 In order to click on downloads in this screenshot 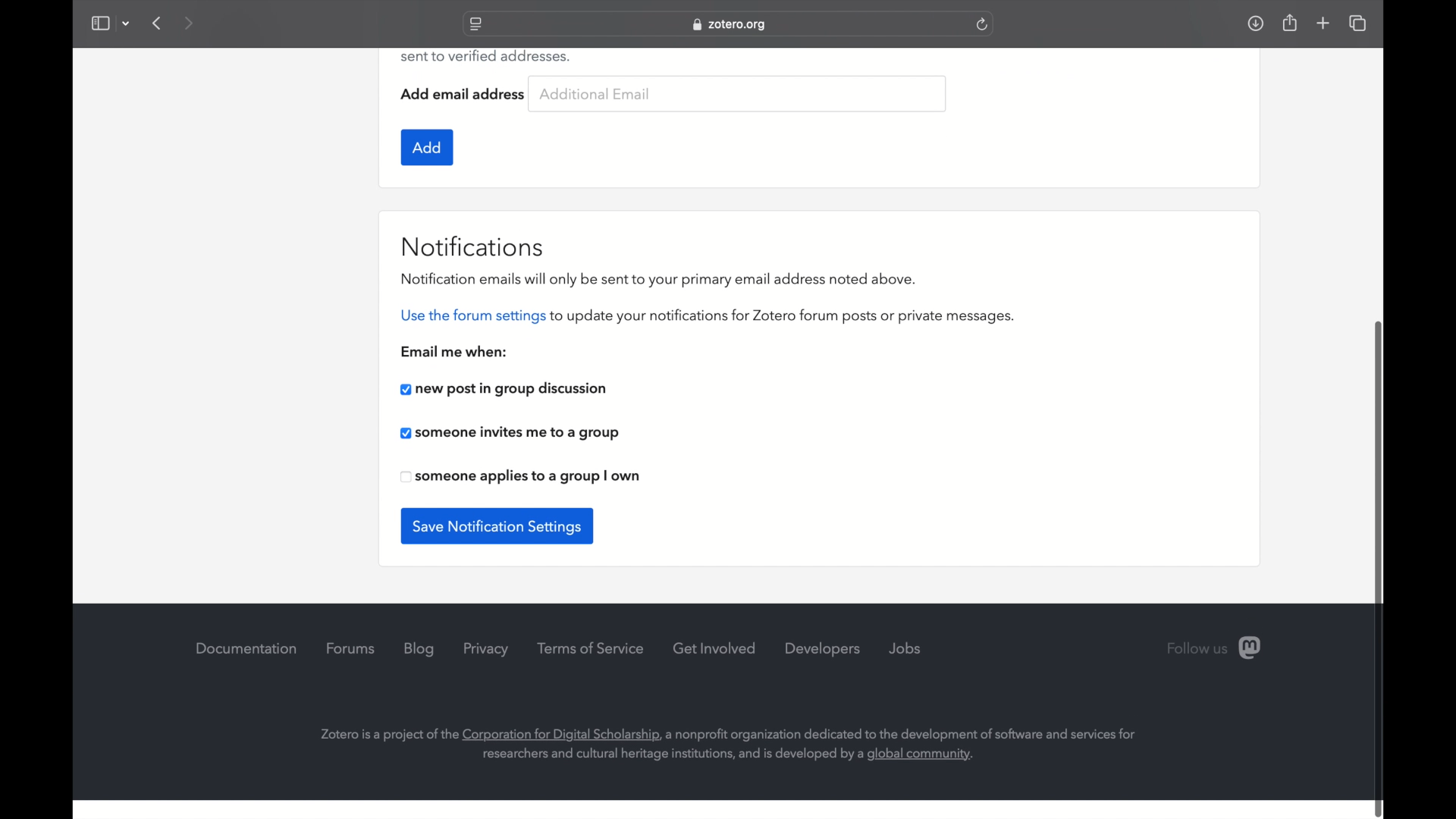, I will do `click(1255, 23)`.